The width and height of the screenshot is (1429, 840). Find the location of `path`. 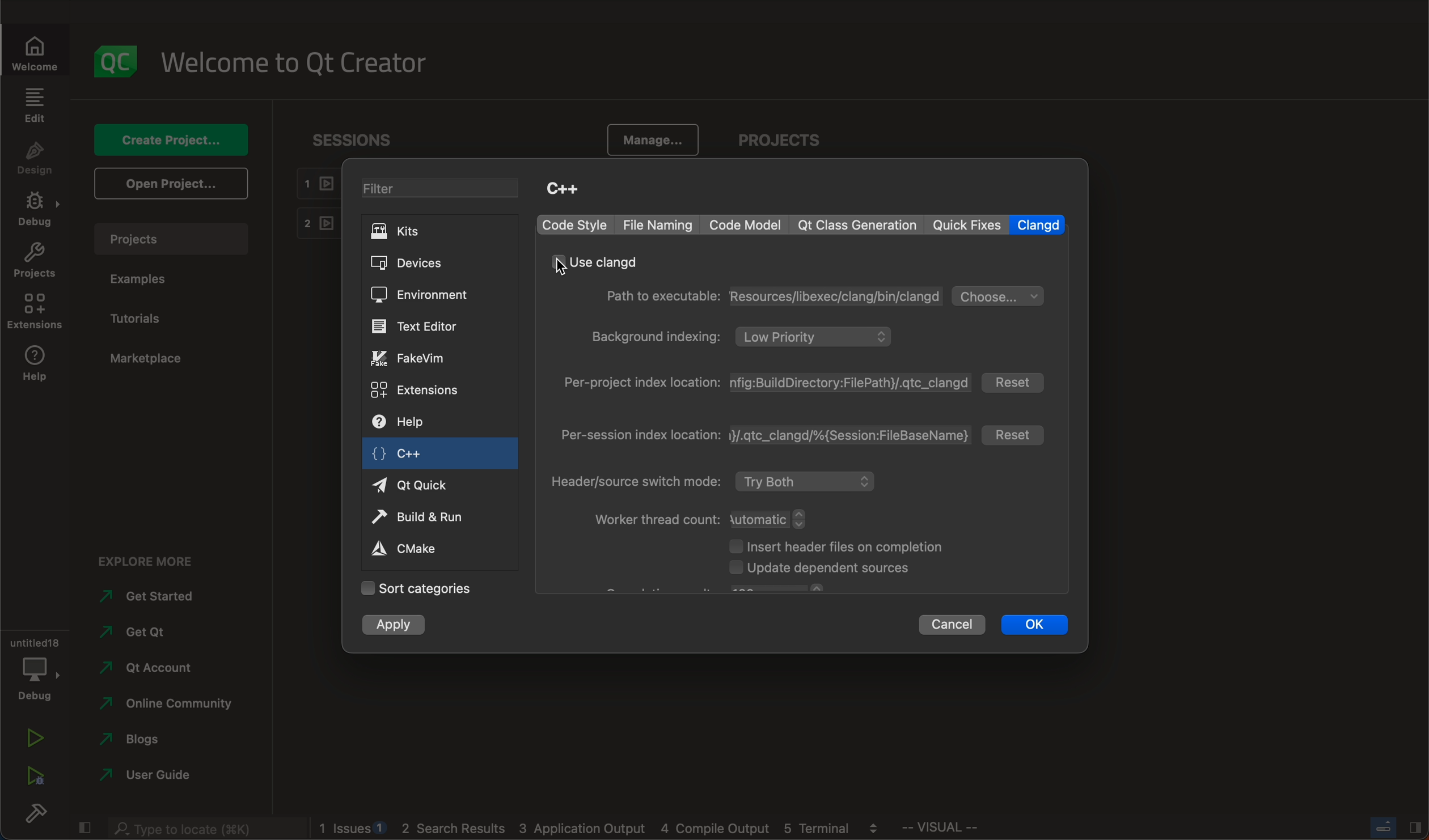

path is located at coordinates (772, 297).